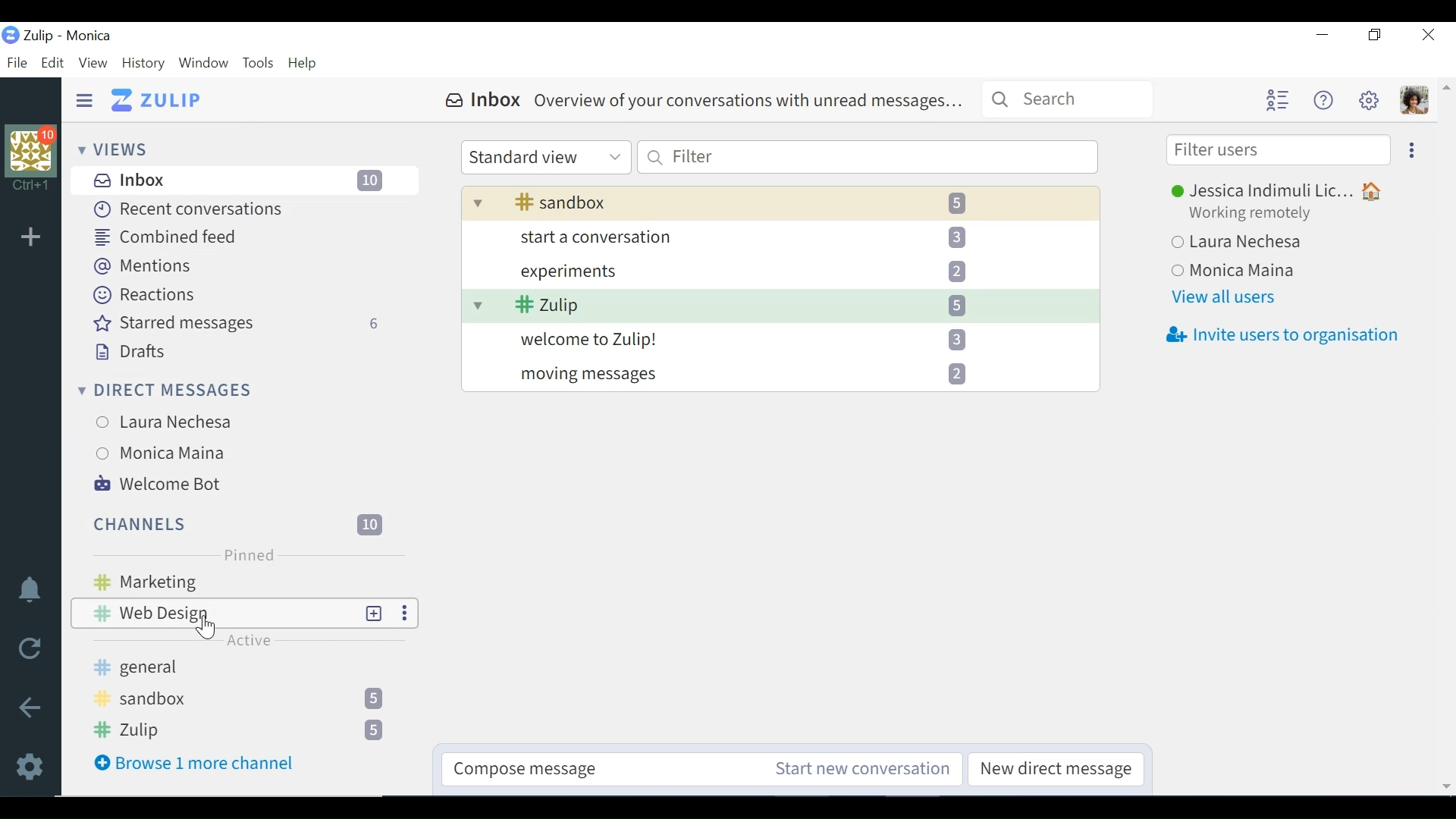  Describe the element at coordinates (128, 350) in the screenshot. I see `Drafts` at that location.